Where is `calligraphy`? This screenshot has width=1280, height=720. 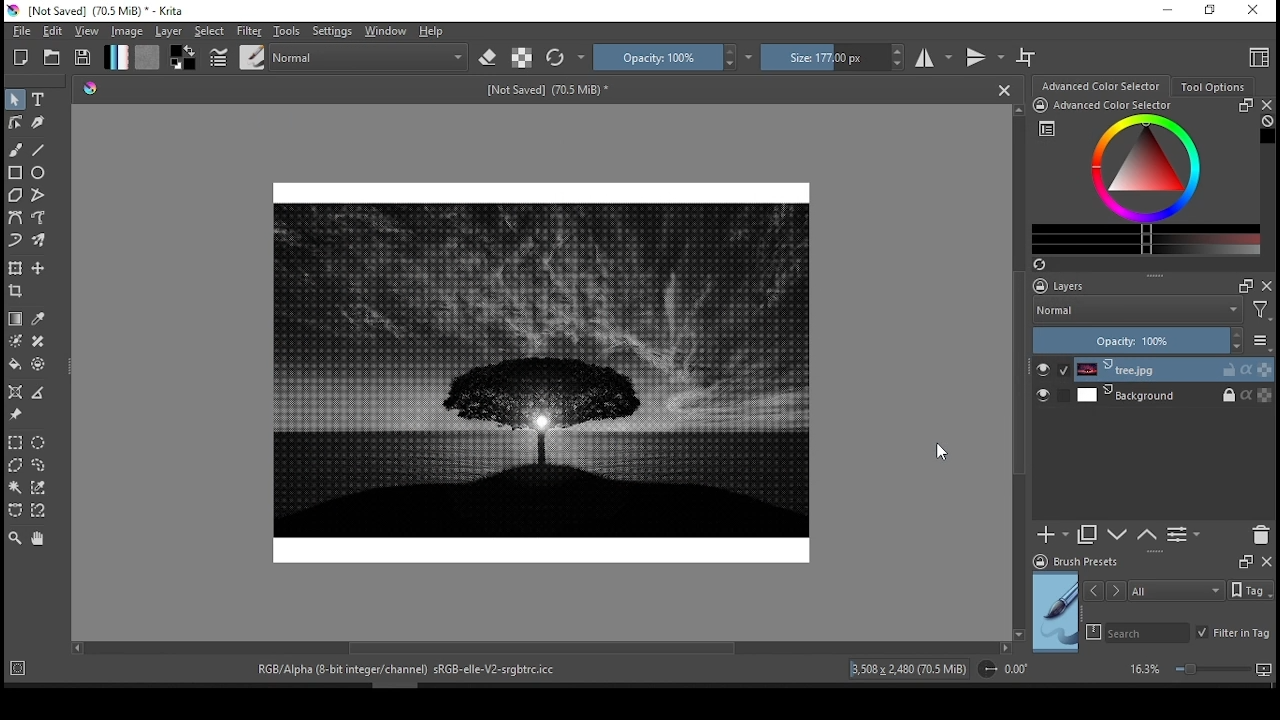
calligraphy is located at coordinates (38, 121).